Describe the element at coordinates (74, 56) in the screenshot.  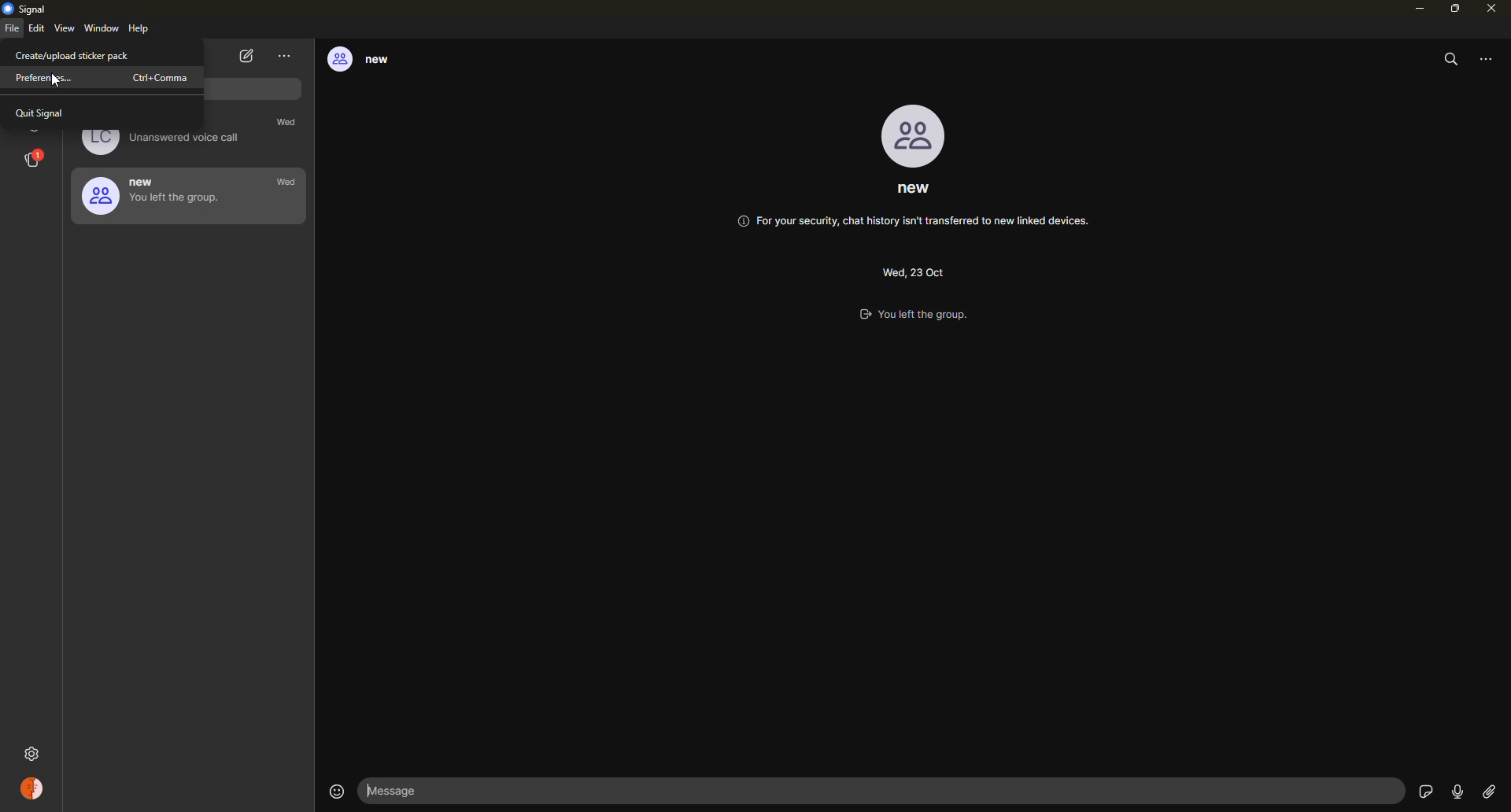
I see `create/upload sticker pack` at that location.